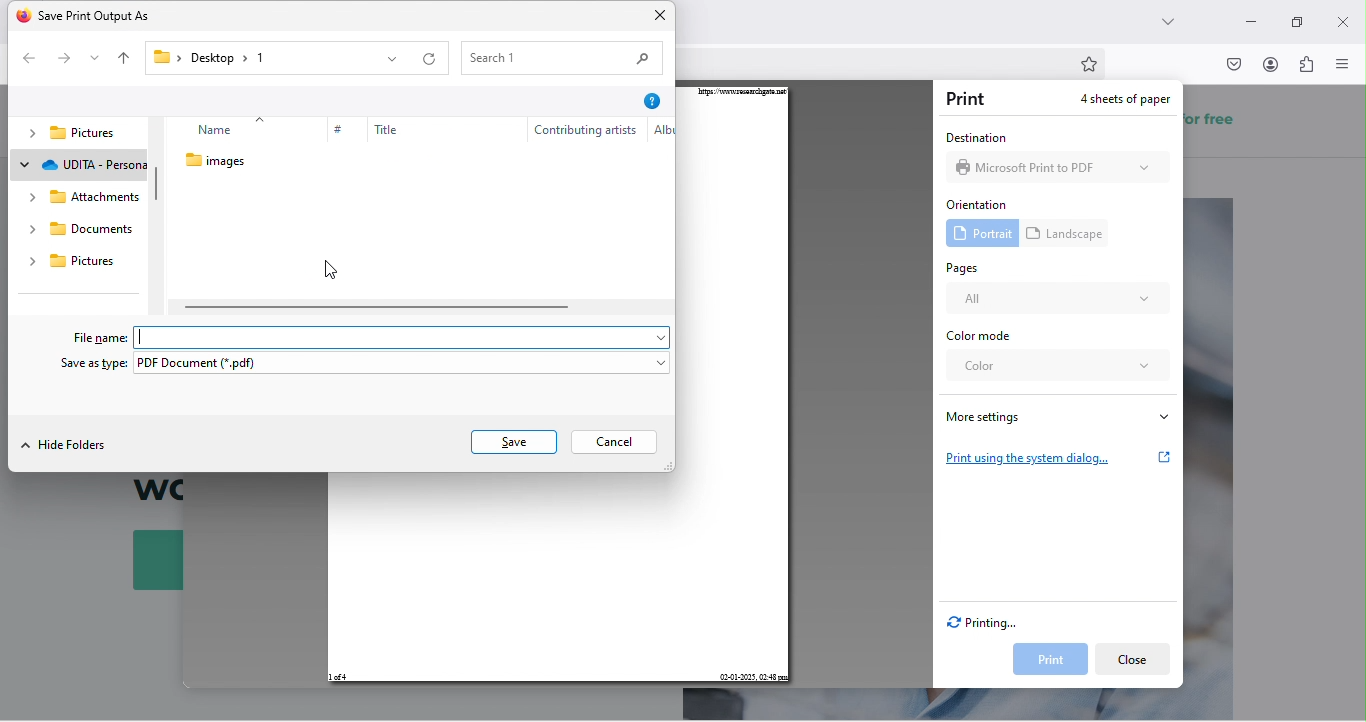 This screenshot has width=1366, height=722. Describe the element at coordinates (227, 134) in the screenshot. I see `name` at that location.